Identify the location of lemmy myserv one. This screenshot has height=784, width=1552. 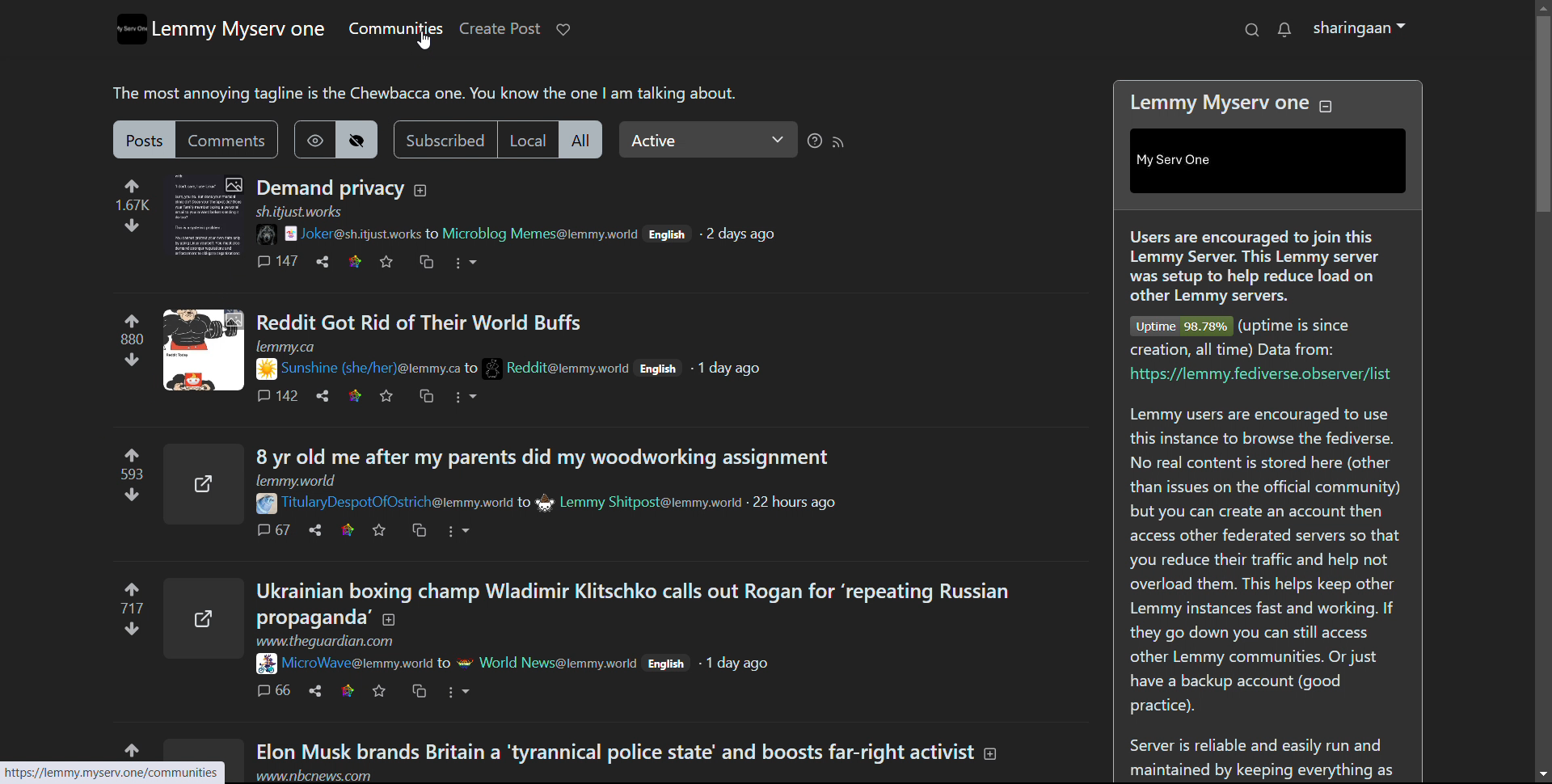
(239, 30).